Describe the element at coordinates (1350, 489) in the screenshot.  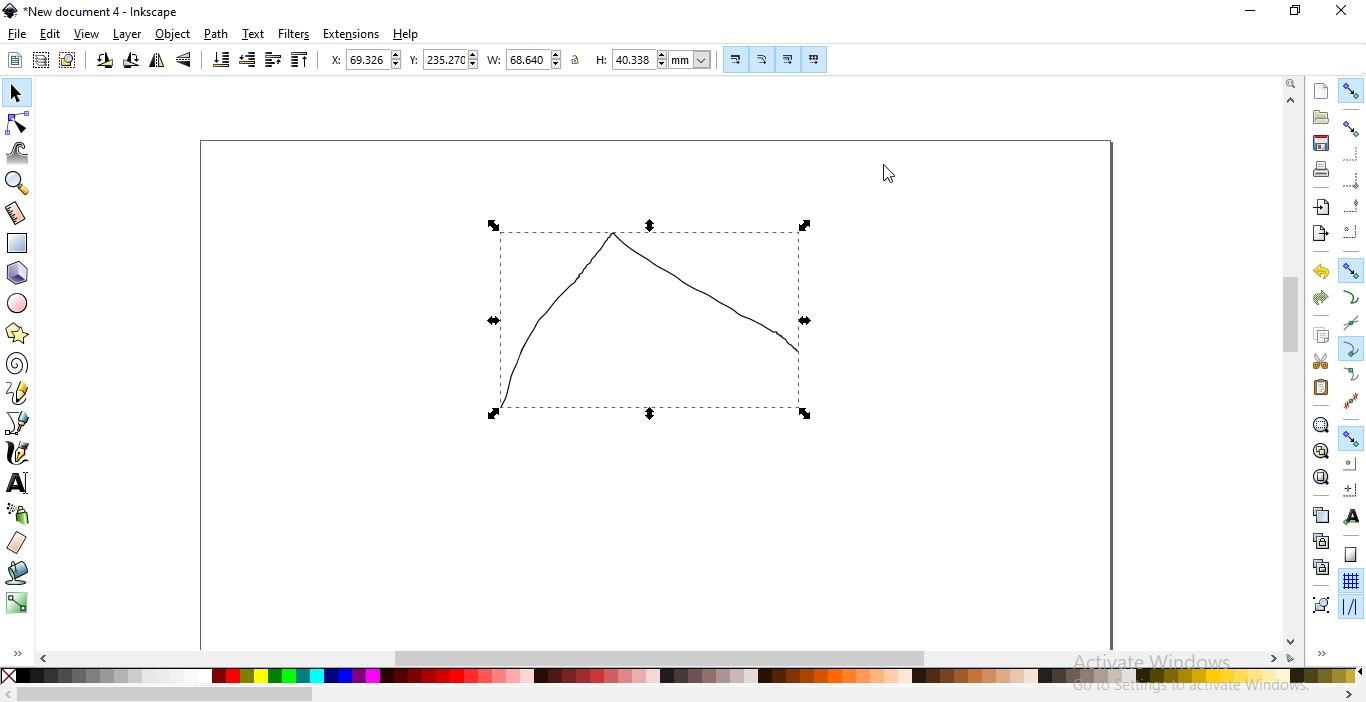
I see `snap an item's rotation center` at that location.